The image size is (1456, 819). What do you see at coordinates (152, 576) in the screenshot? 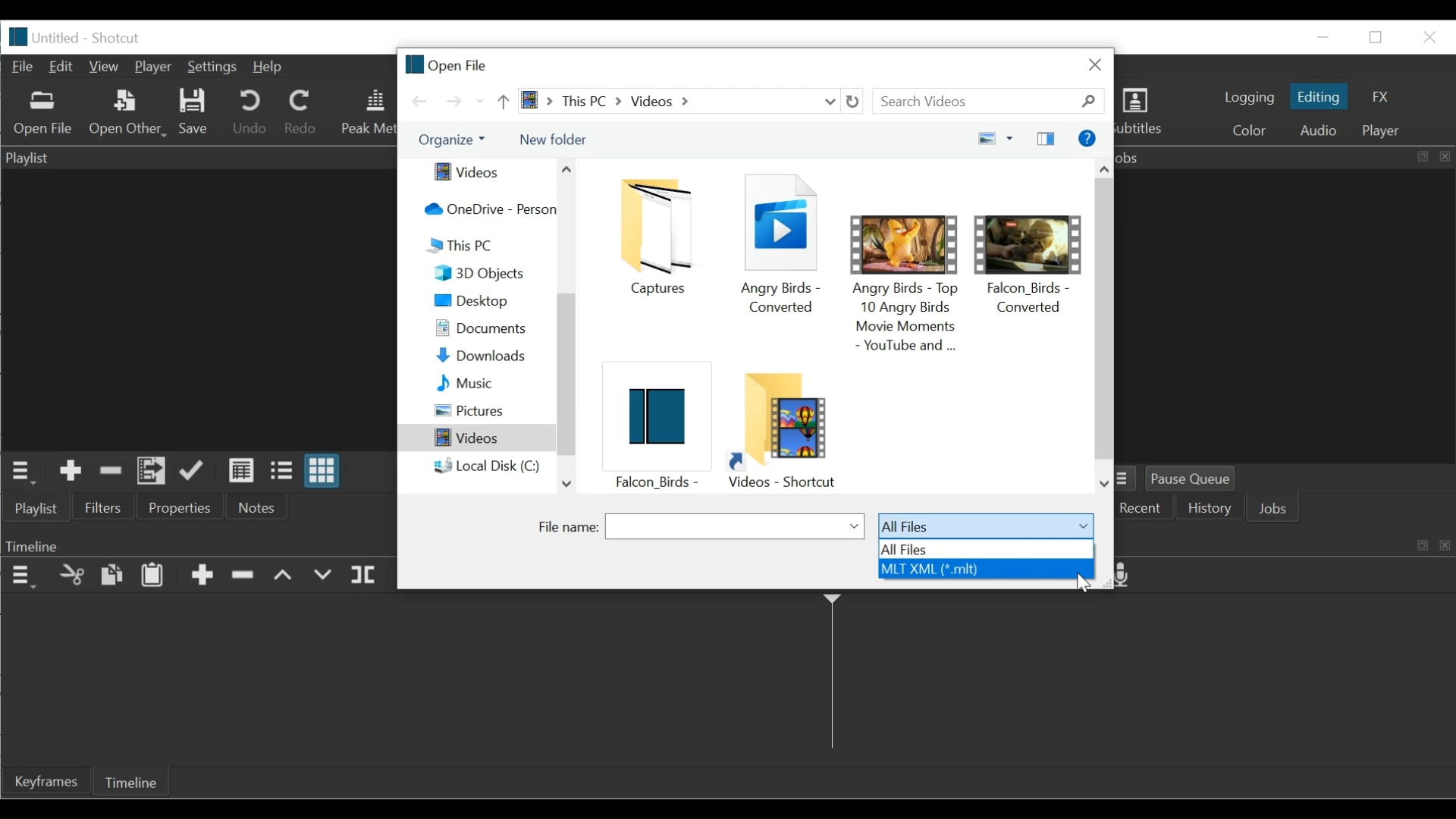
I see `Paste` at bounding box center [152, 576].